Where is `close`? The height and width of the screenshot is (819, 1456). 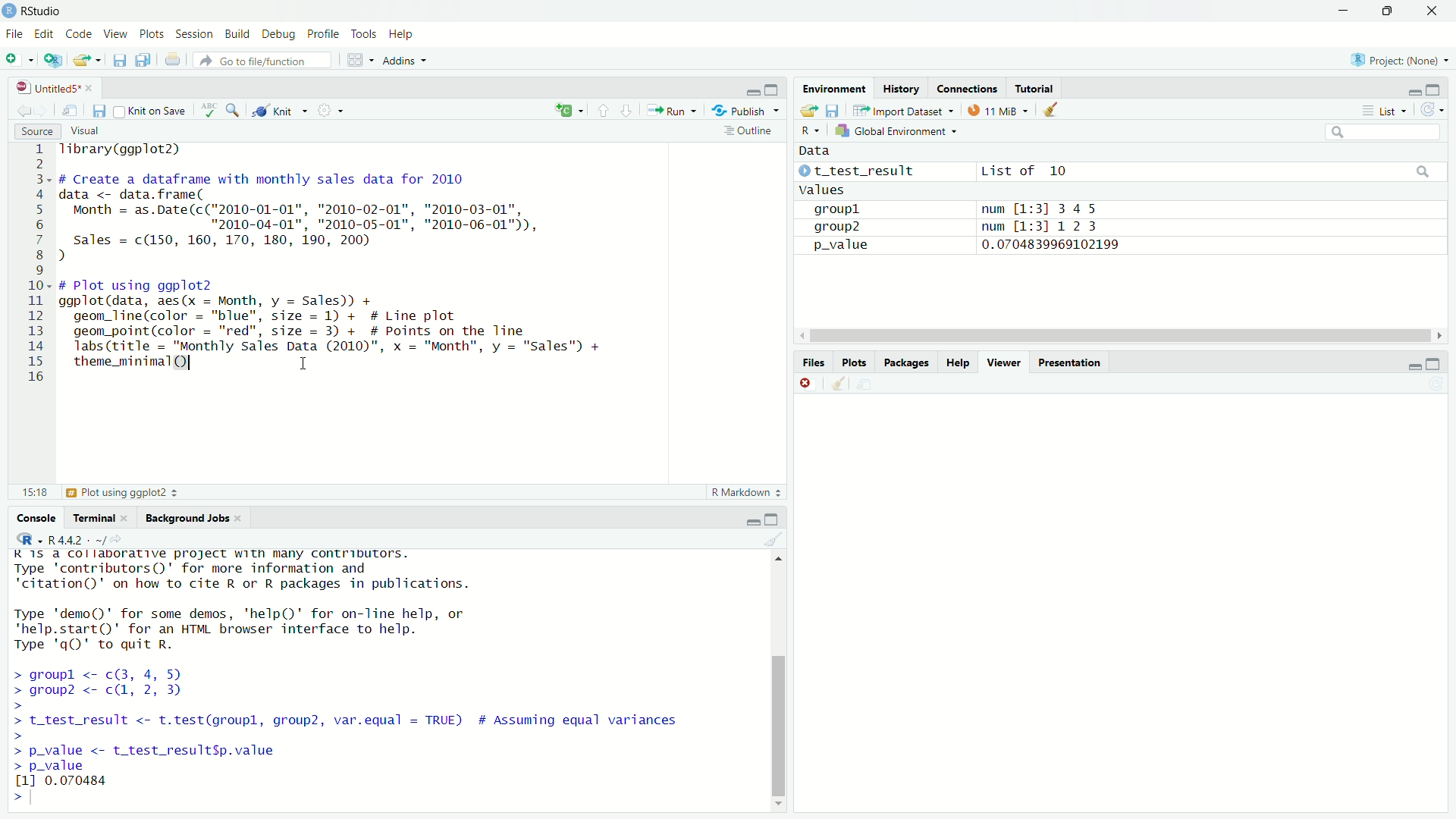 close is located at coordinates (1429, 14).